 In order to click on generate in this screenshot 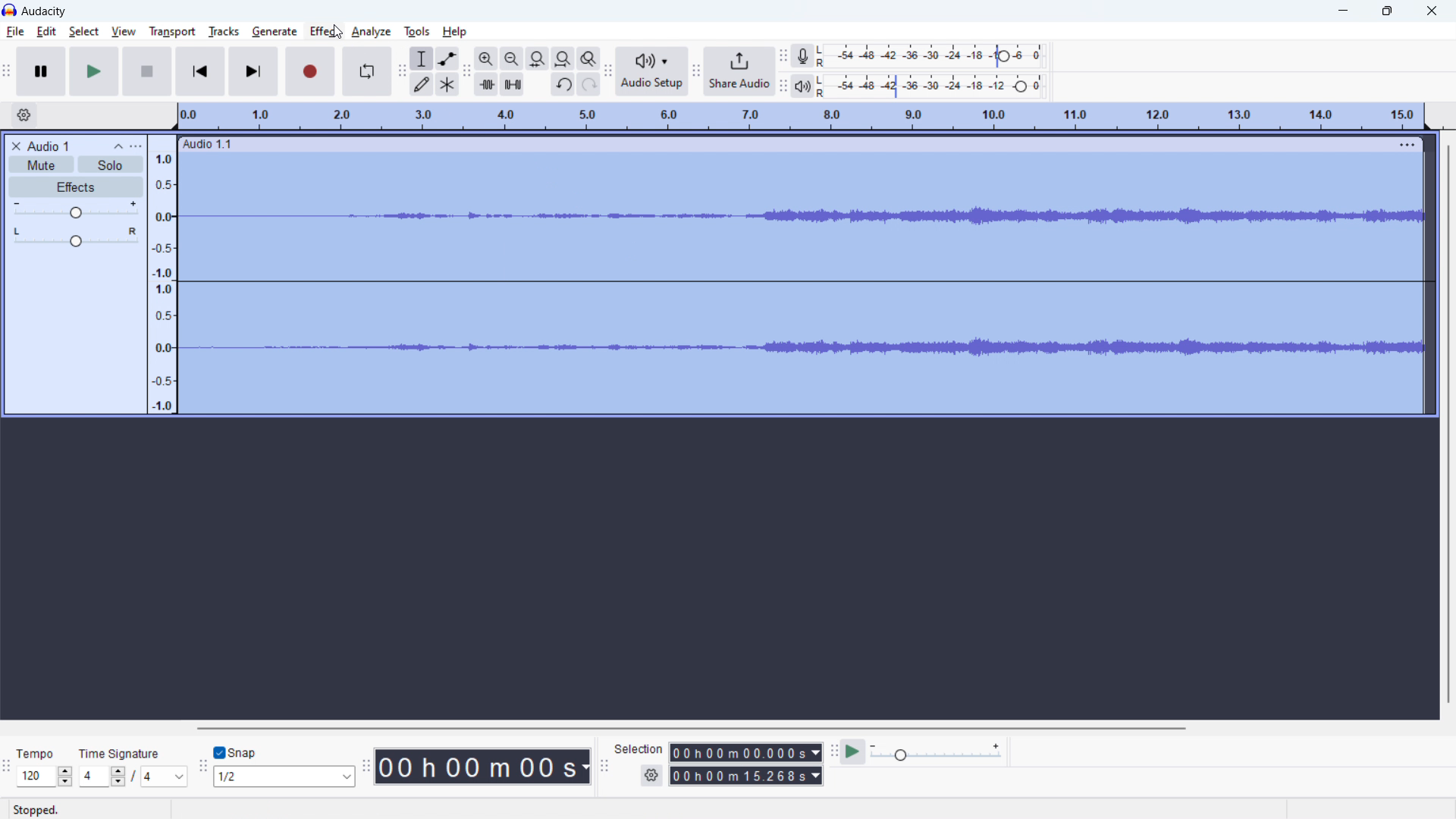, I will do `click(275, 31)`.